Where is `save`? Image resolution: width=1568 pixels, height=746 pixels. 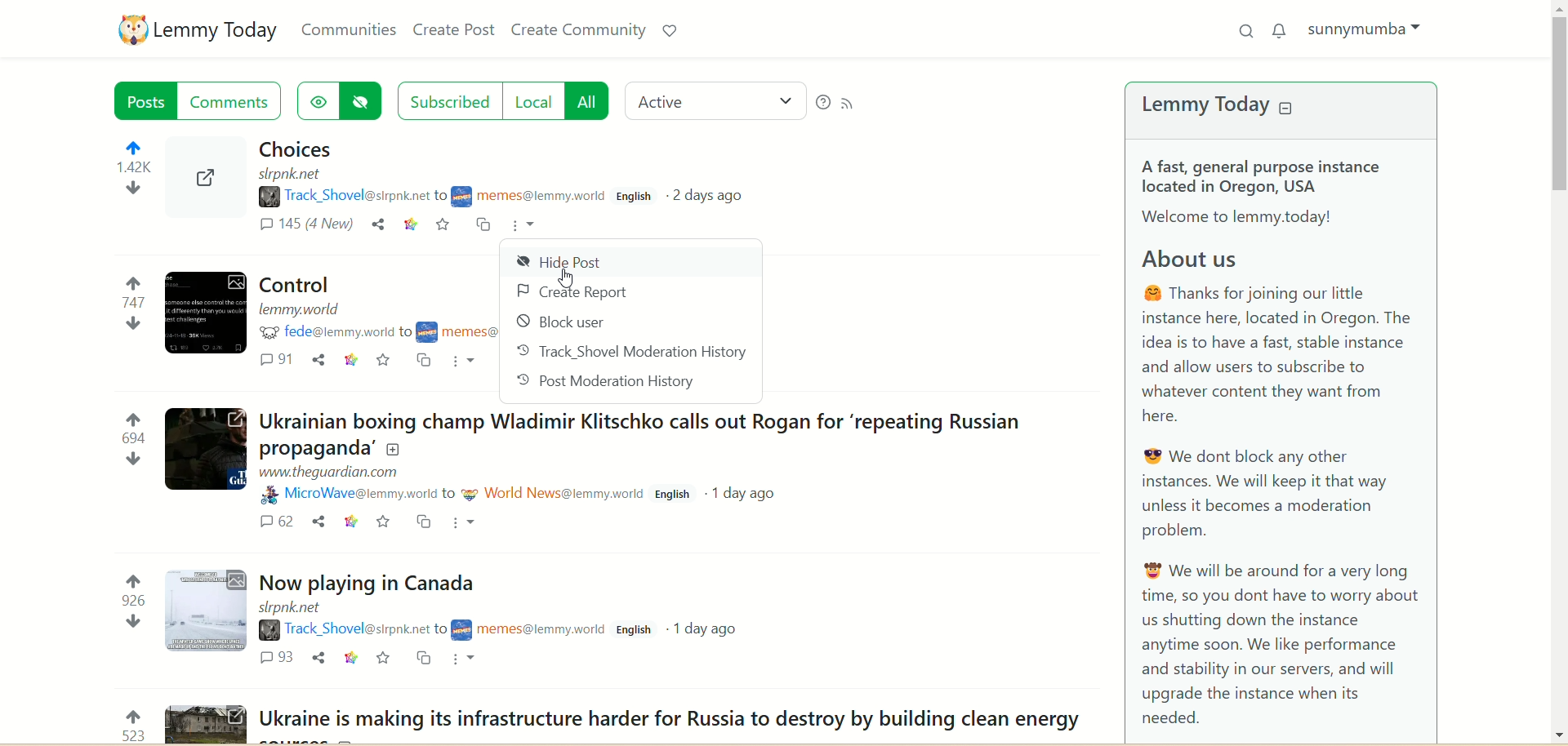
save is located at coordinates (445, 227).